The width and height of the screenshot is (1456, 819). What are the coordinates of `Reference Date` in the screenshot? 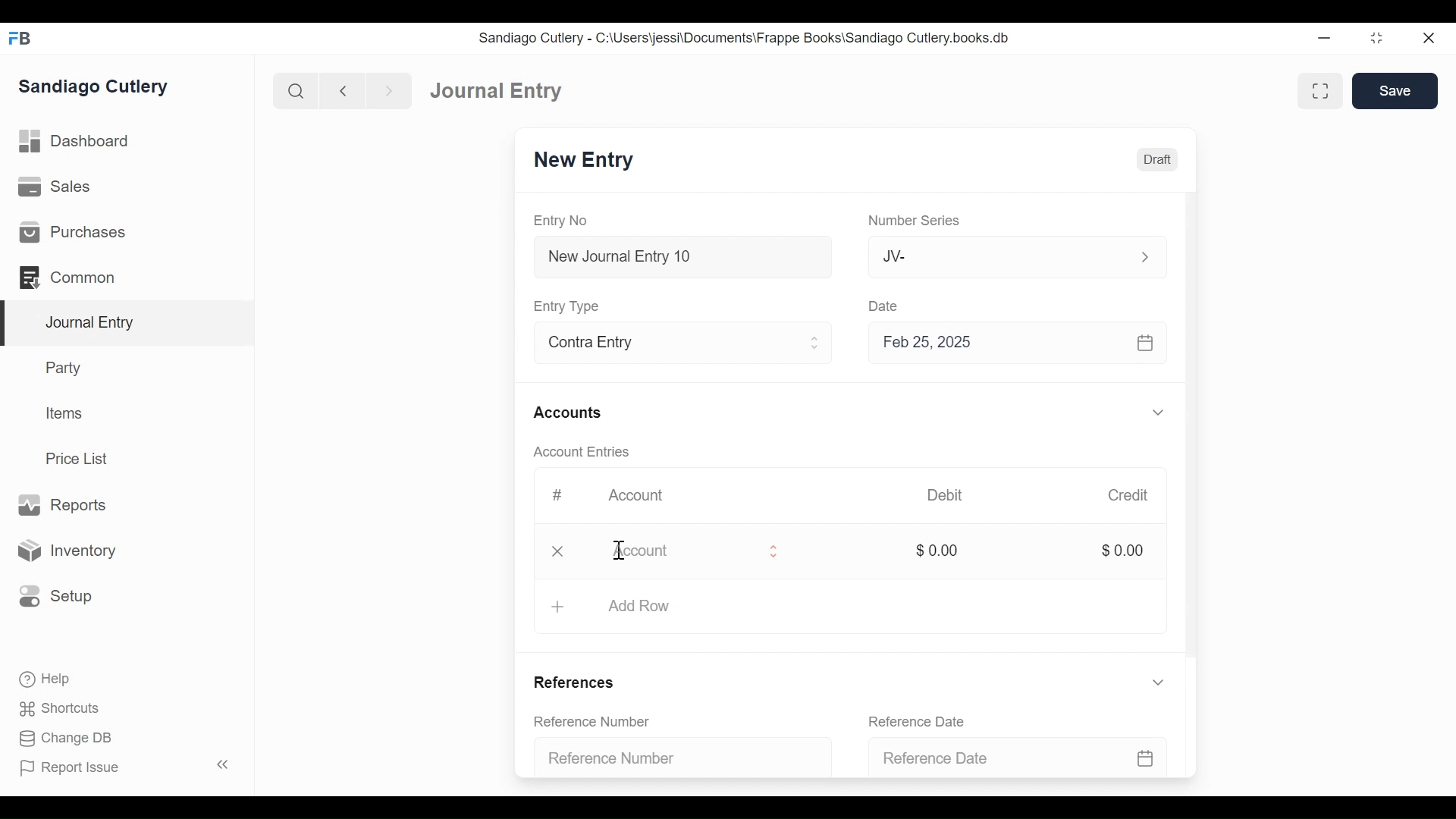 It's located at (1016, 752).